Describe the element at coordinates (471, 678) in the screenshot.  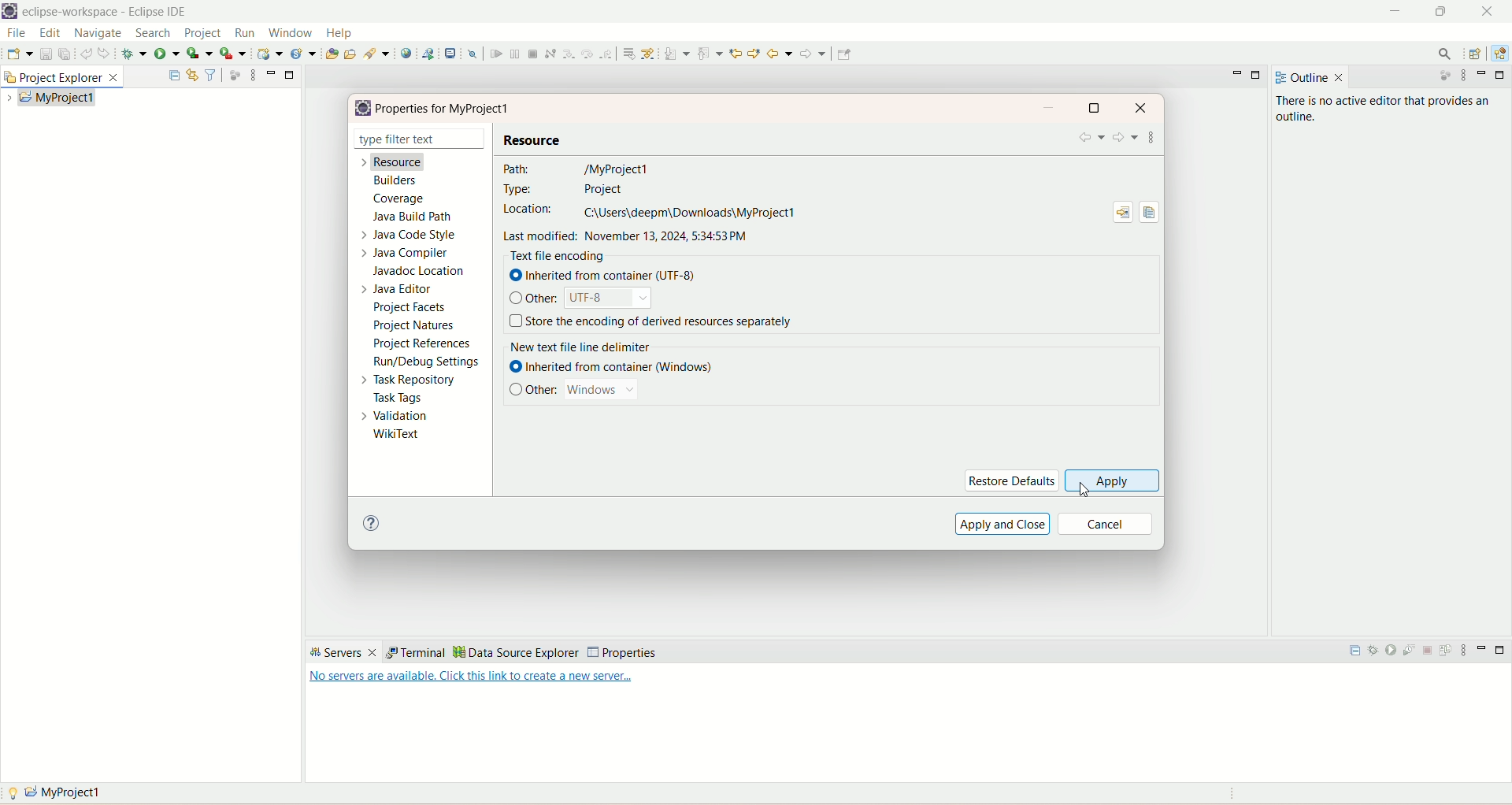
I see `Link to create a new server...` at that location.